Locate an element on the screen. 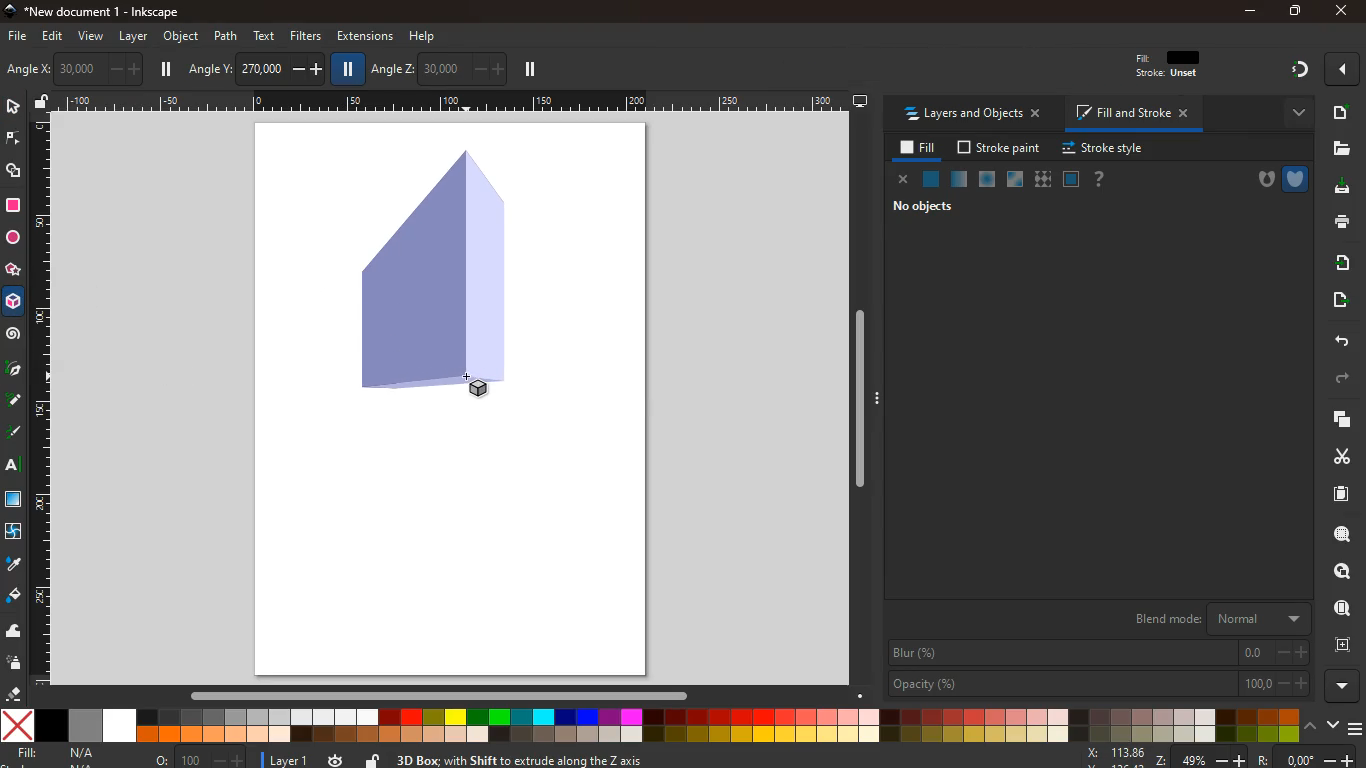  text is located at coordinates (10, 466).